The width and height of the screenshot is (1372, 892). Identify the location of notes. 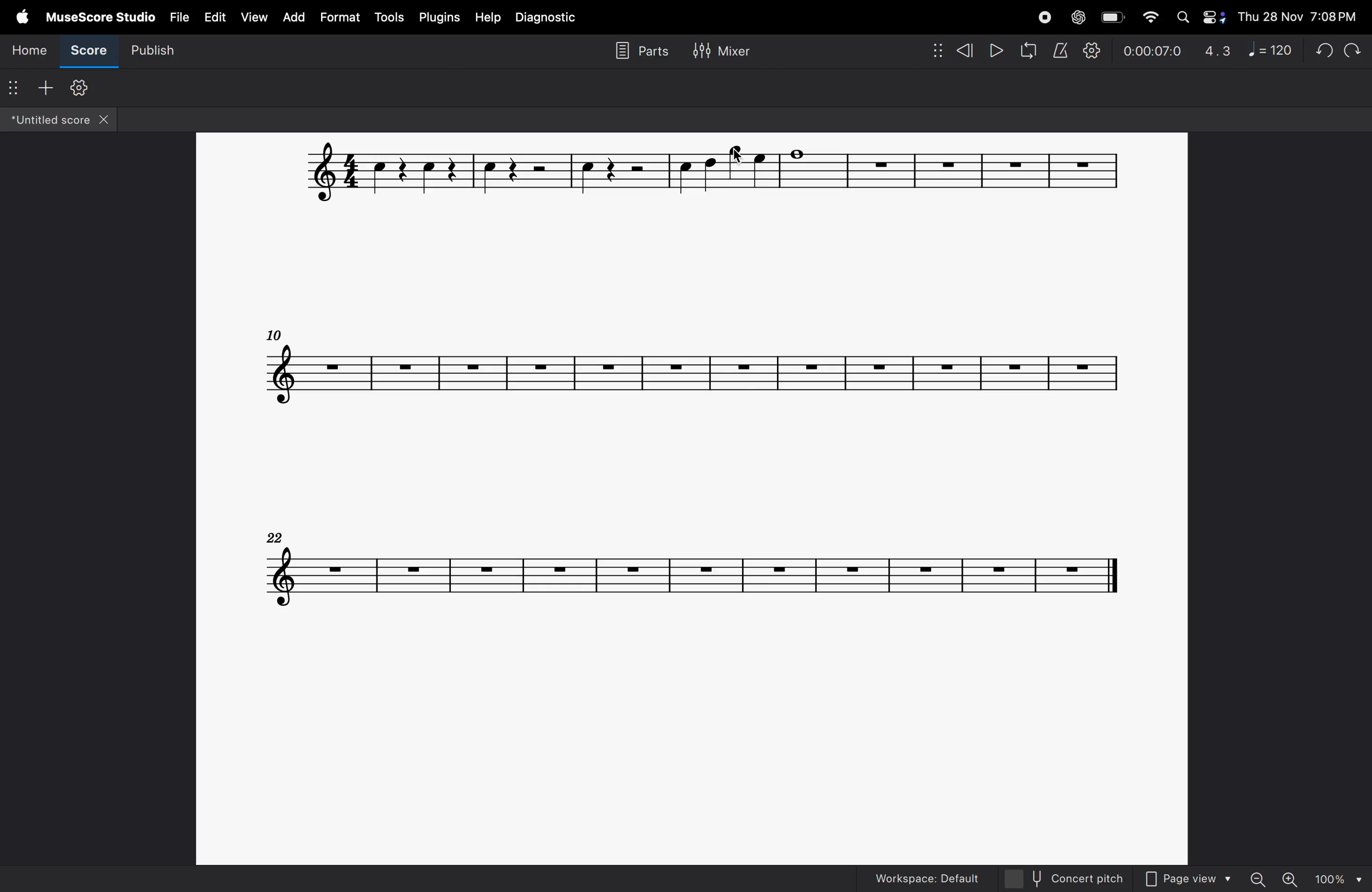
(703, 372).